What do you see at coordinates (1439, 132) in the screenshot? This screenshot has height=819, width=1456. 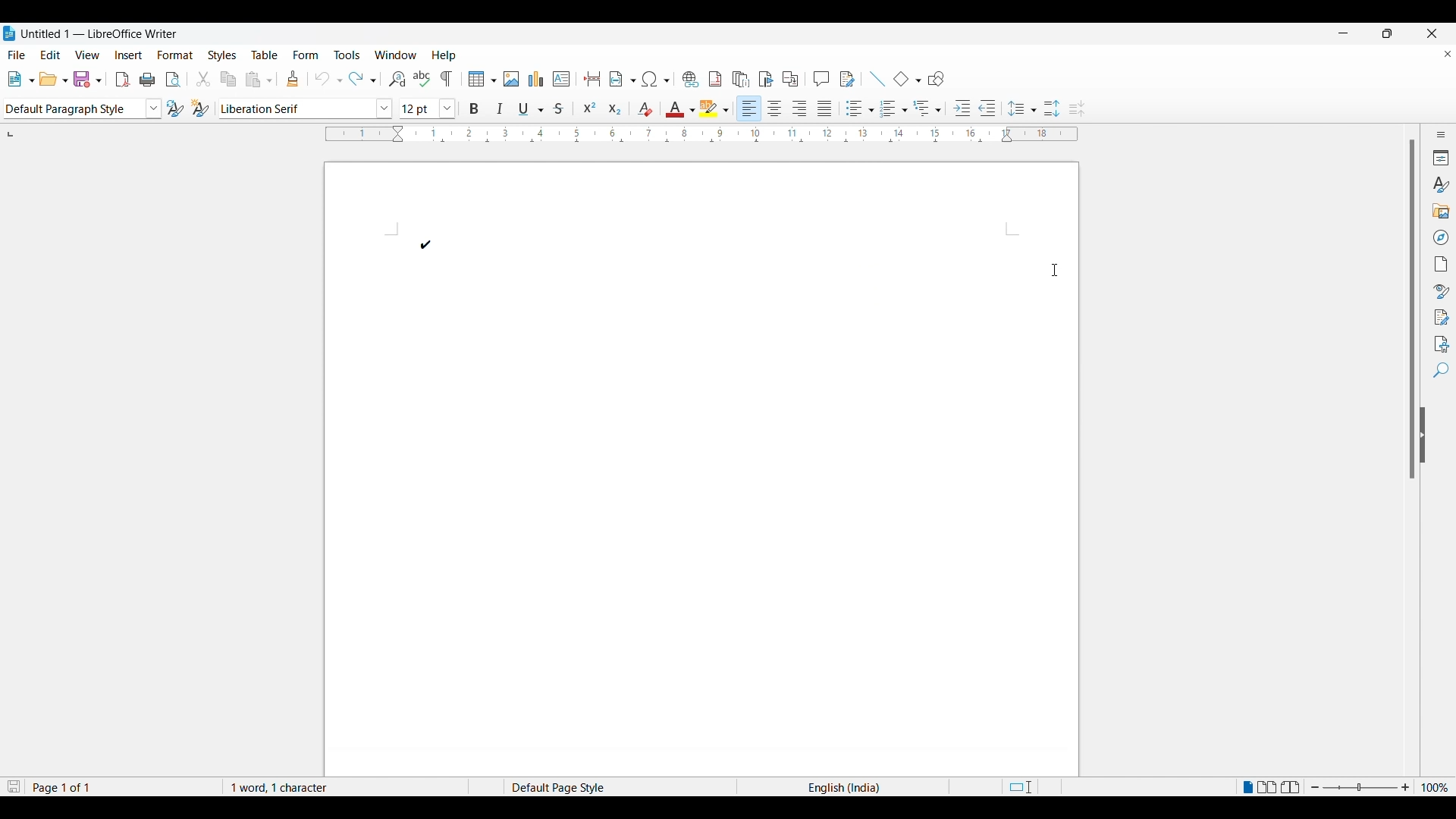 I see `Sidebar settings` at bounding box center [1439, 132].